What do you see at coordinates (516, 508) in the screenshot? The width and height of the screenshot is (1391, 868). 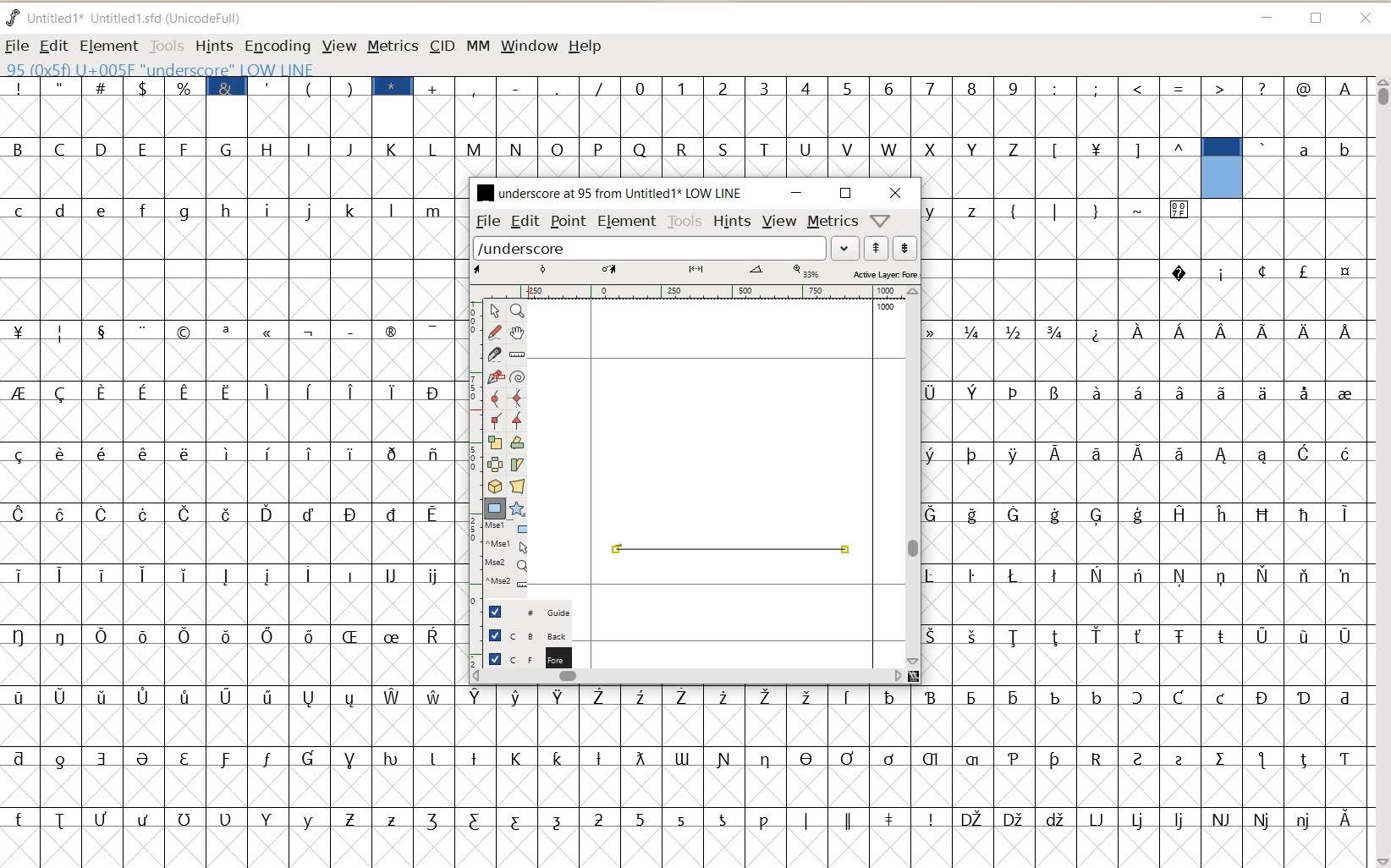 I see `polygon or star` at bounding box center [516, 508].